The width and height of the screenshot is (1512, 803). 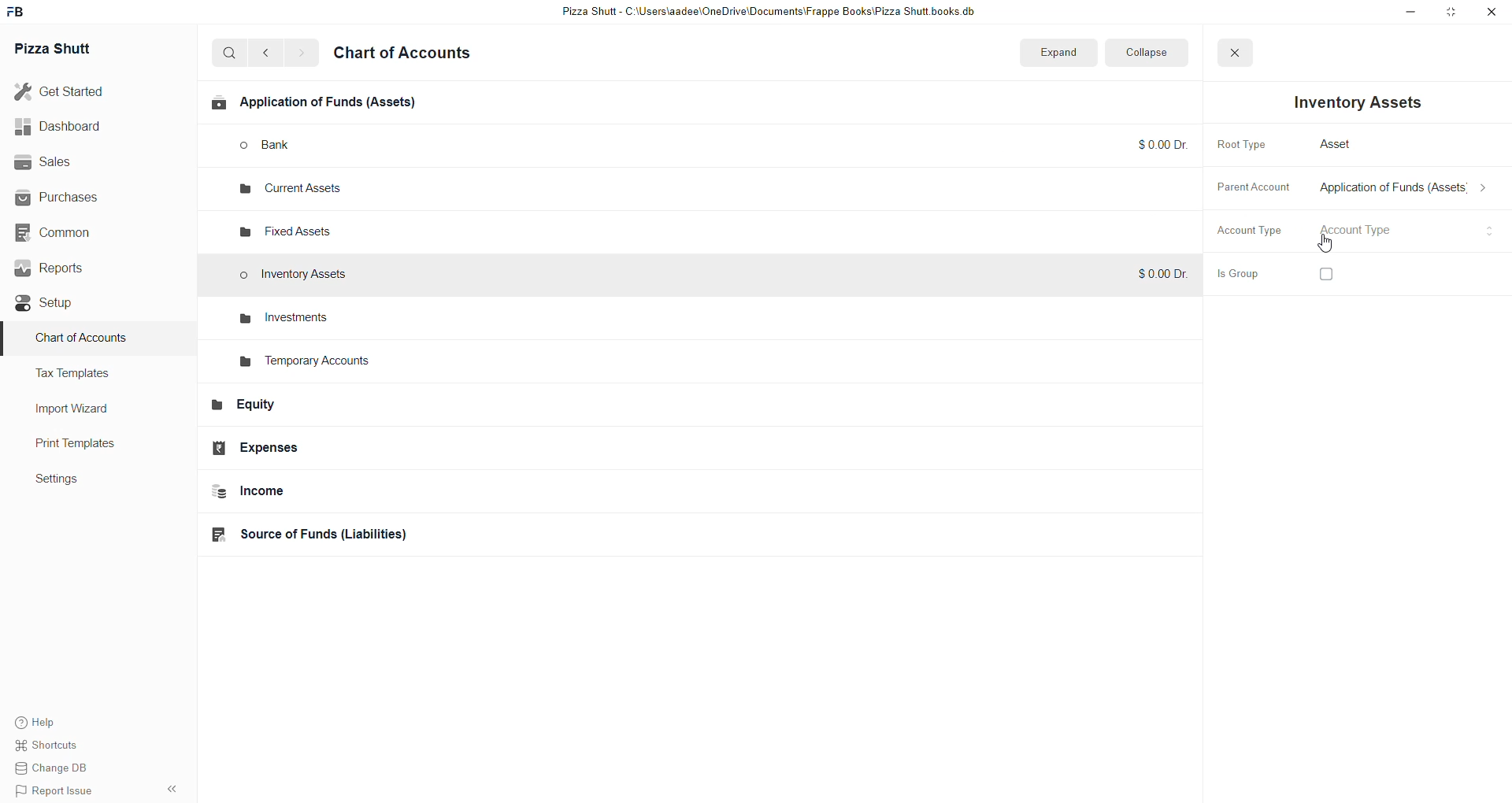 What do you see at coordinates (81, 409) in the screenshot?
I see `Import Wizard ` at bounding box center [81, 409].